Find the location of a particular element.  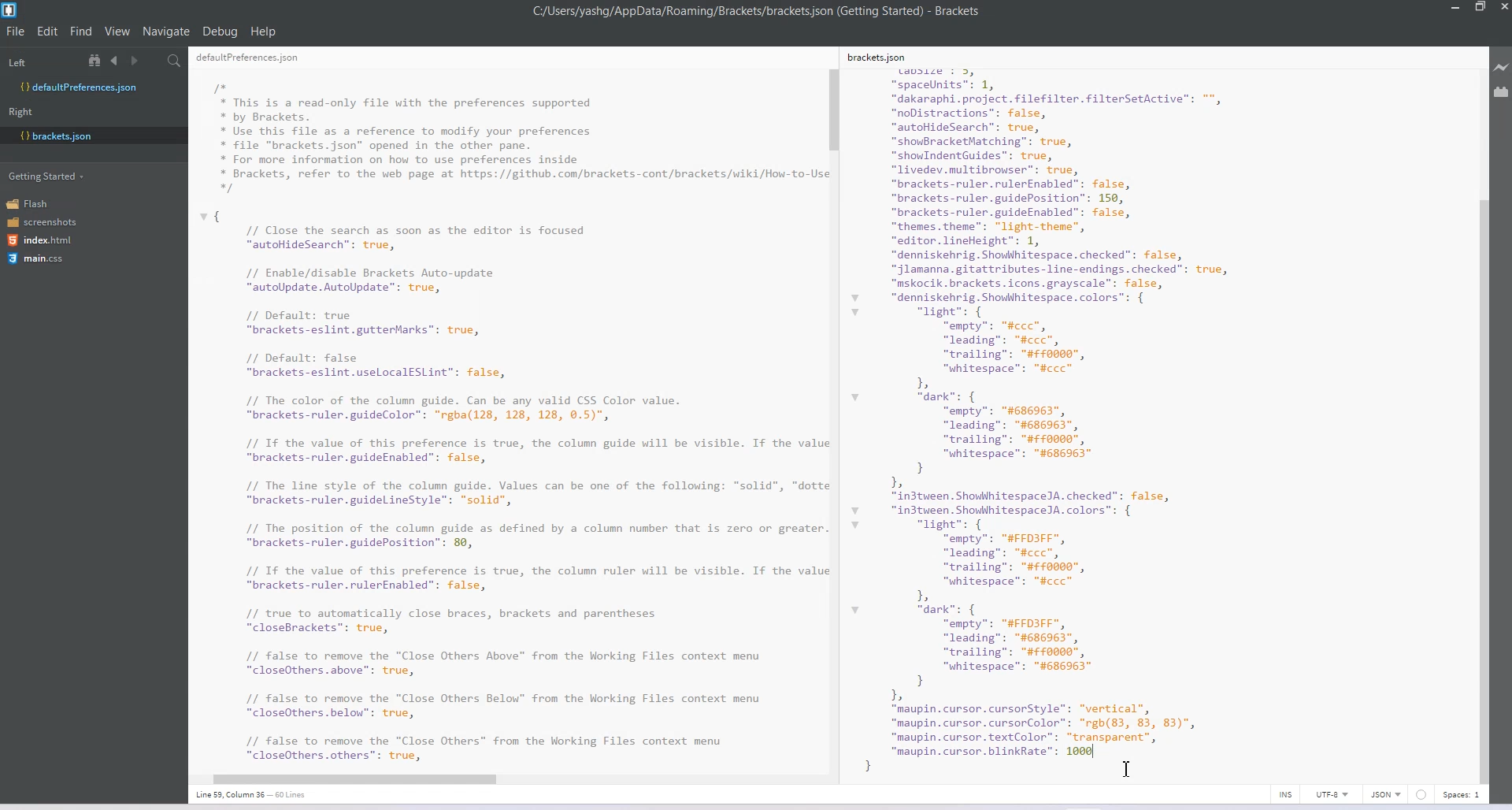

Horizontal Scroll Bar is located at coordinates (502, 776).